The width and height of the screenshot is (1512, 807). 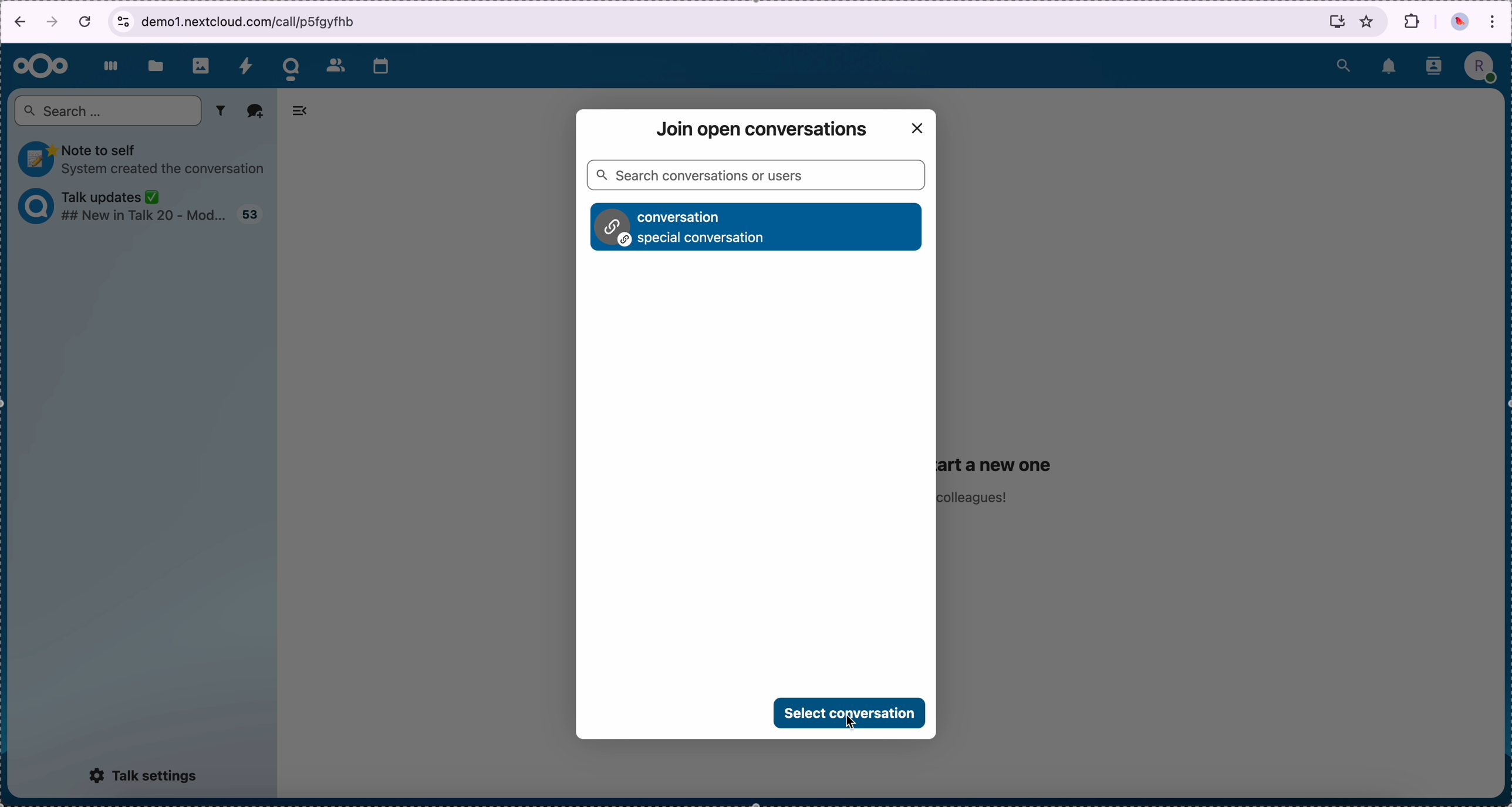 What do you see at coordinates (220, 112) in the screenshot?
I see `filter` at bounding box center [220, 112].